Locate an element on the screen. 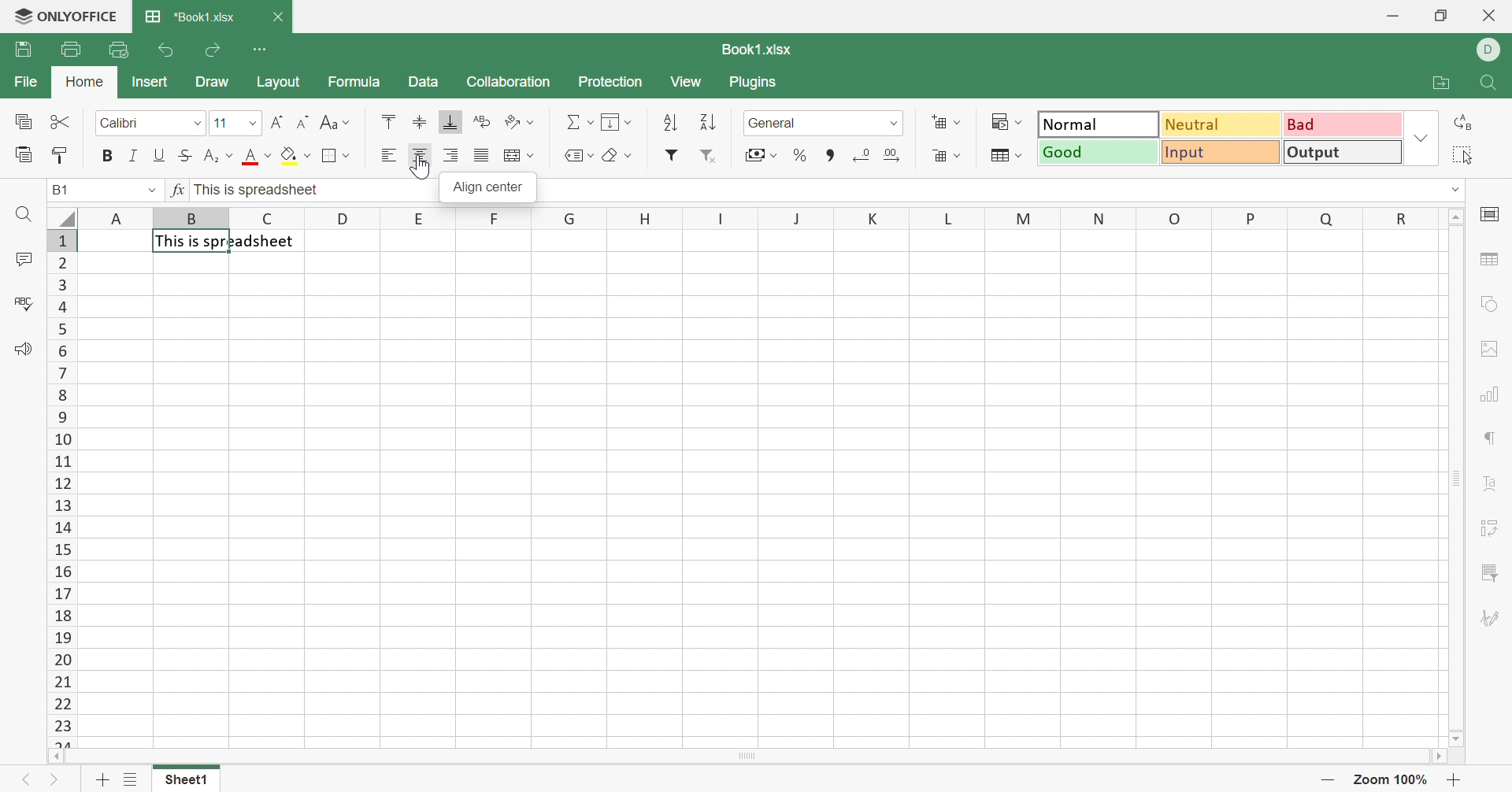 Image resolution: width=1512 pixels, height=792 pixels. Align Center is located at coordinates (420, 156).